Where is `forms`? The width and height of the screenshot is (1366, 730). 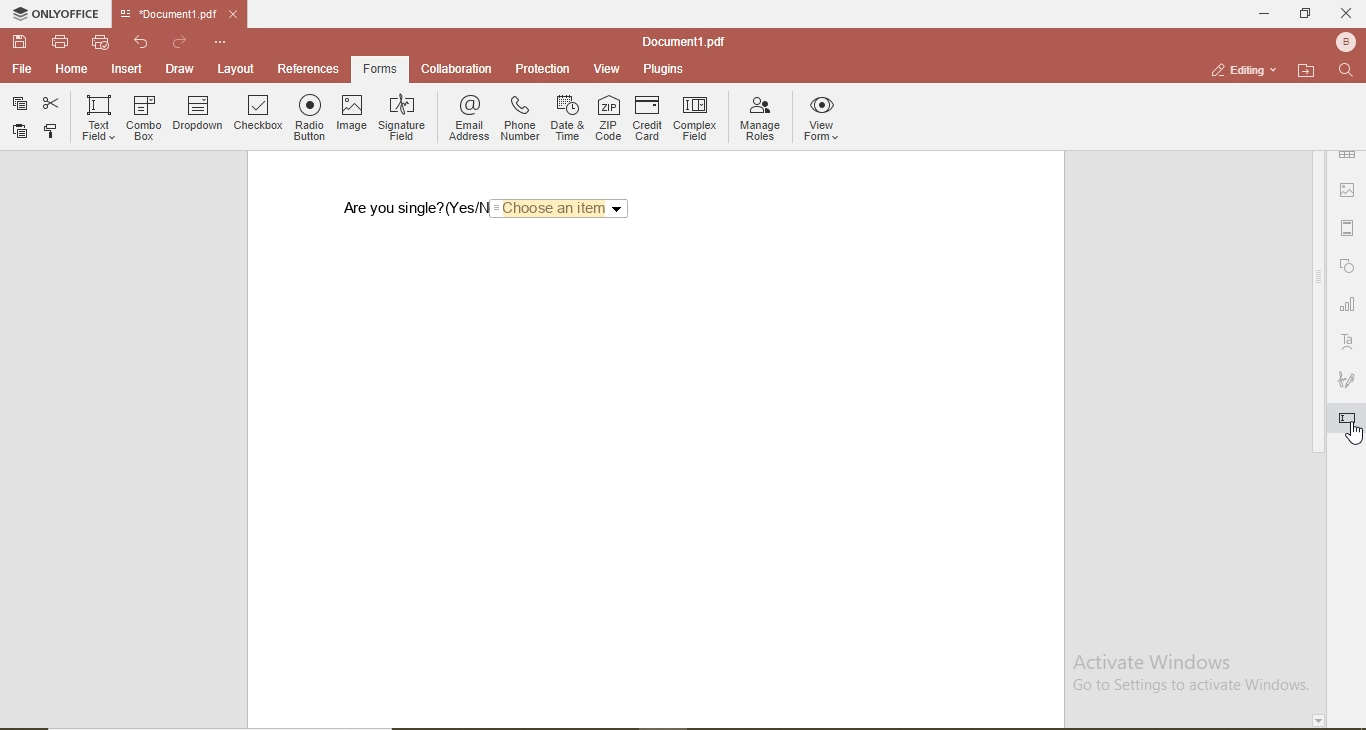 forms is located at coordinates (379, 69).